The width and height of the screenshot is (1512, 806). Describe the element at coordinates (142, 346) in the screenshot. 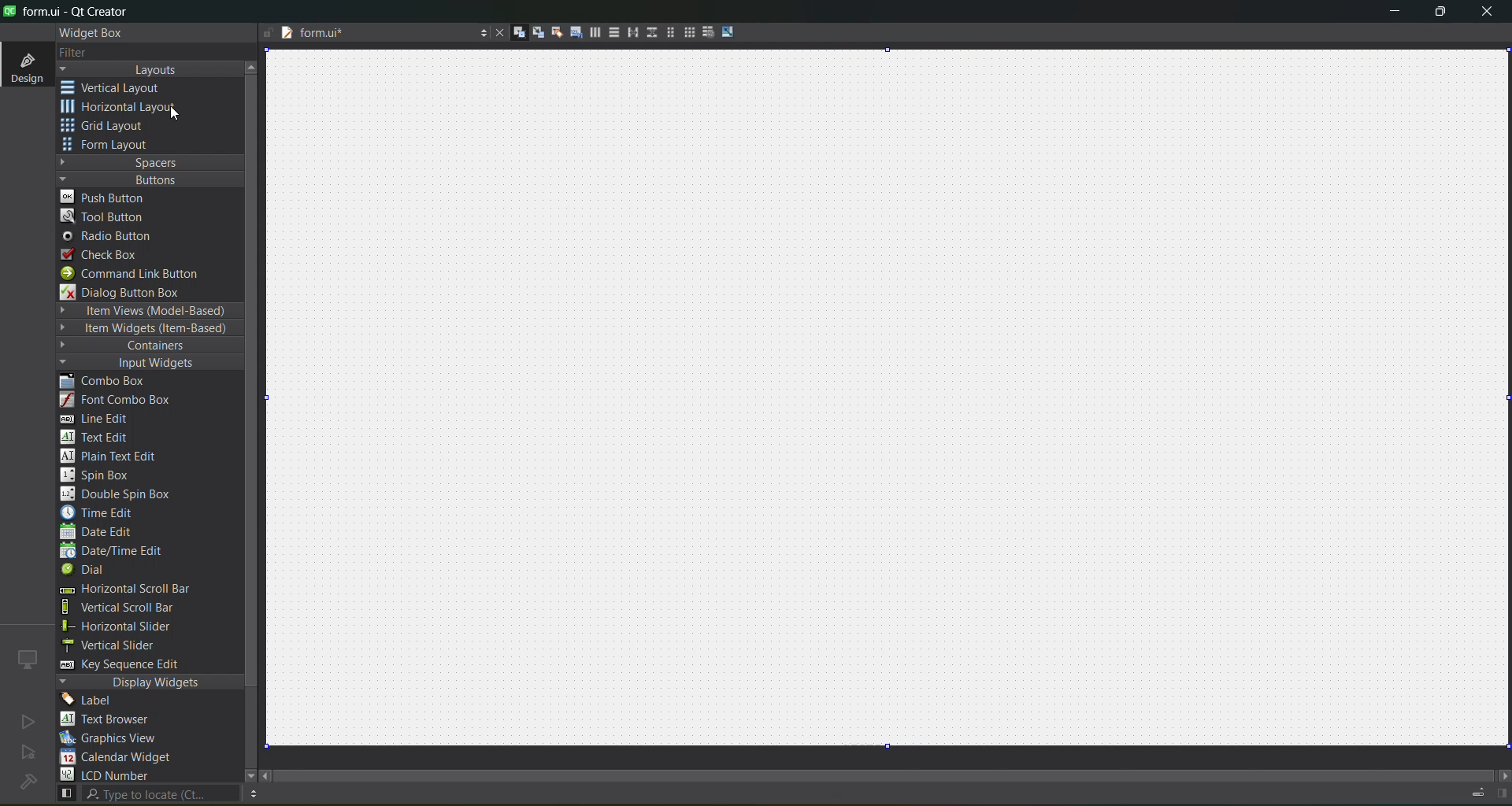

I see `containers` at that location.